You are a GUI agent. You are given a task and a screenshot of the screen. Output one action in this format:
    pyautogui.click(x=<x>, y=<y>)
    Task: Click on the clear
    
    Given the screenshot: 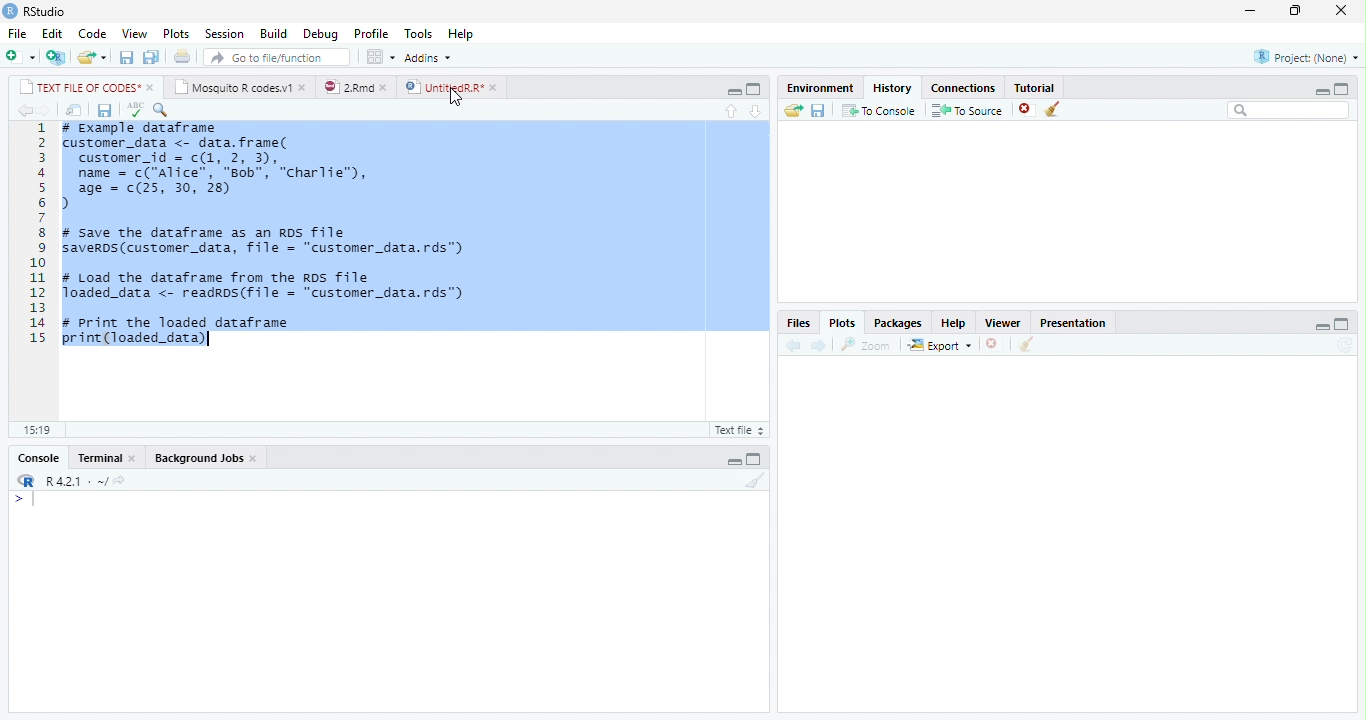 What is the action you would take?
    pyautogui.click(x=756, y=480)
    